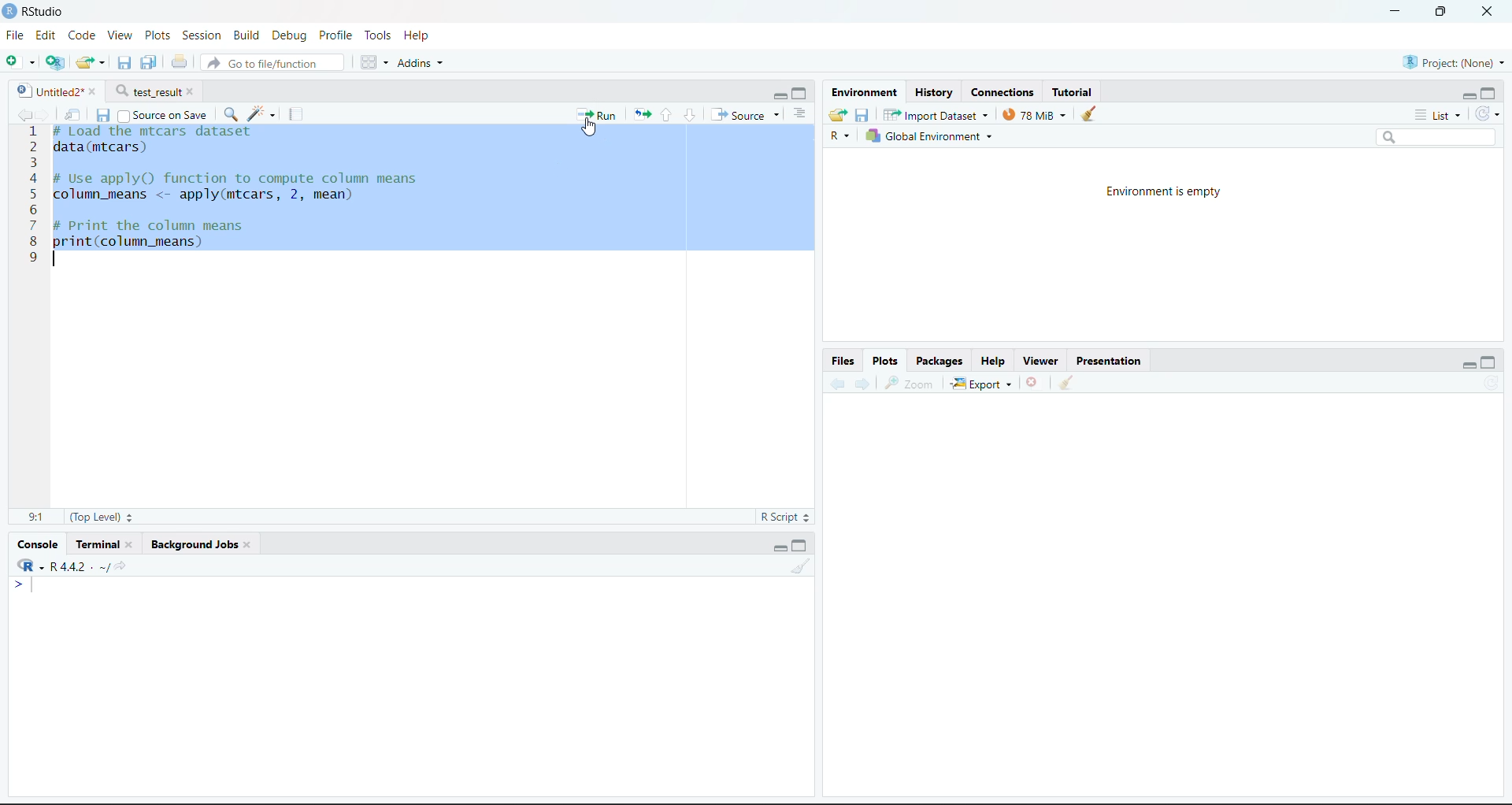 The width and height of the screenshot is (1512, 805). Describe the element at coordinates (123, 564) in the screenshot. I see `View the current working directory` at that location.